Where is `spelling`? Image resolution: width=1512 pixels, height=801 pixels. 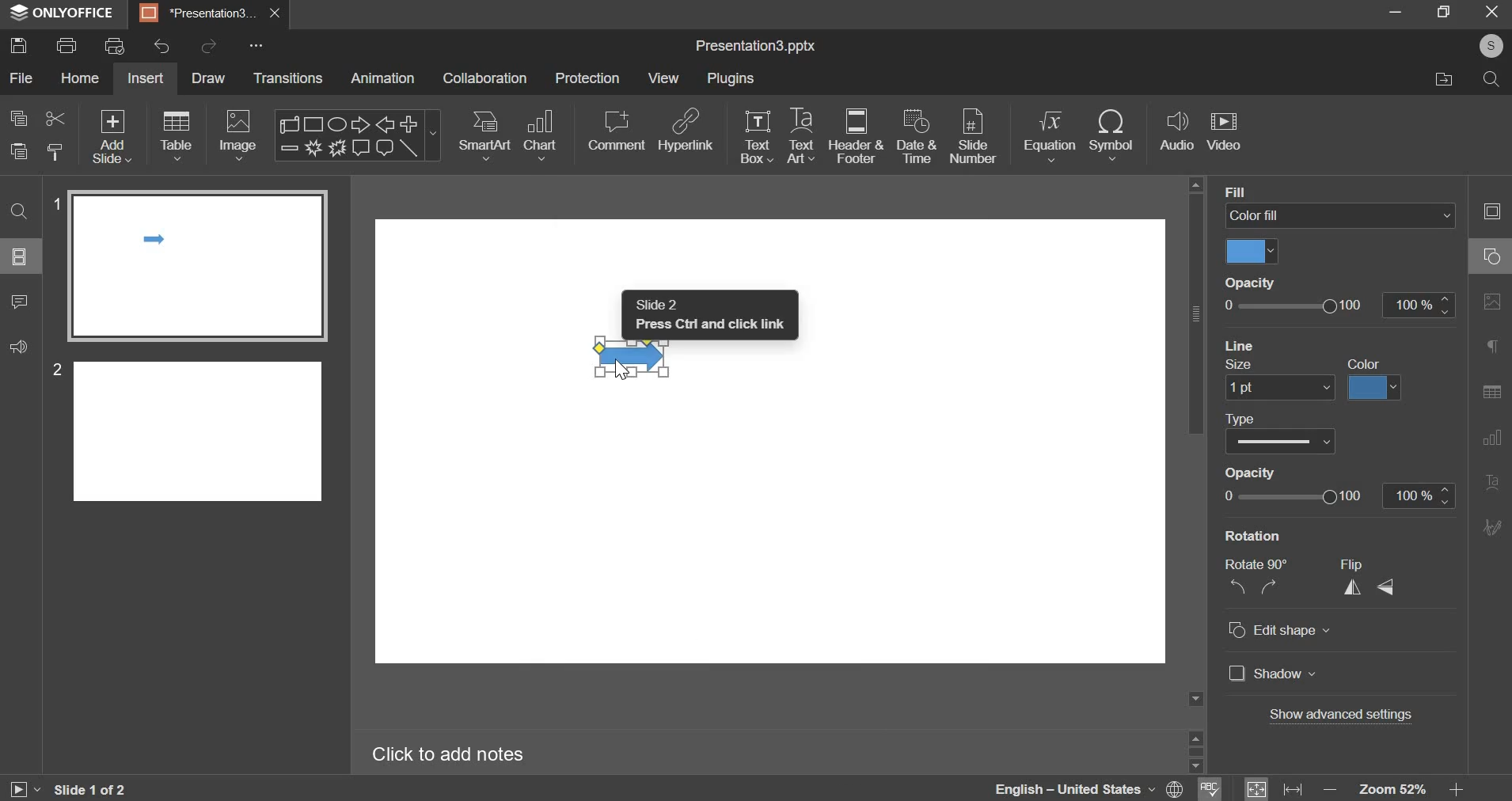
spelling is located at coordinates (1210, 788).